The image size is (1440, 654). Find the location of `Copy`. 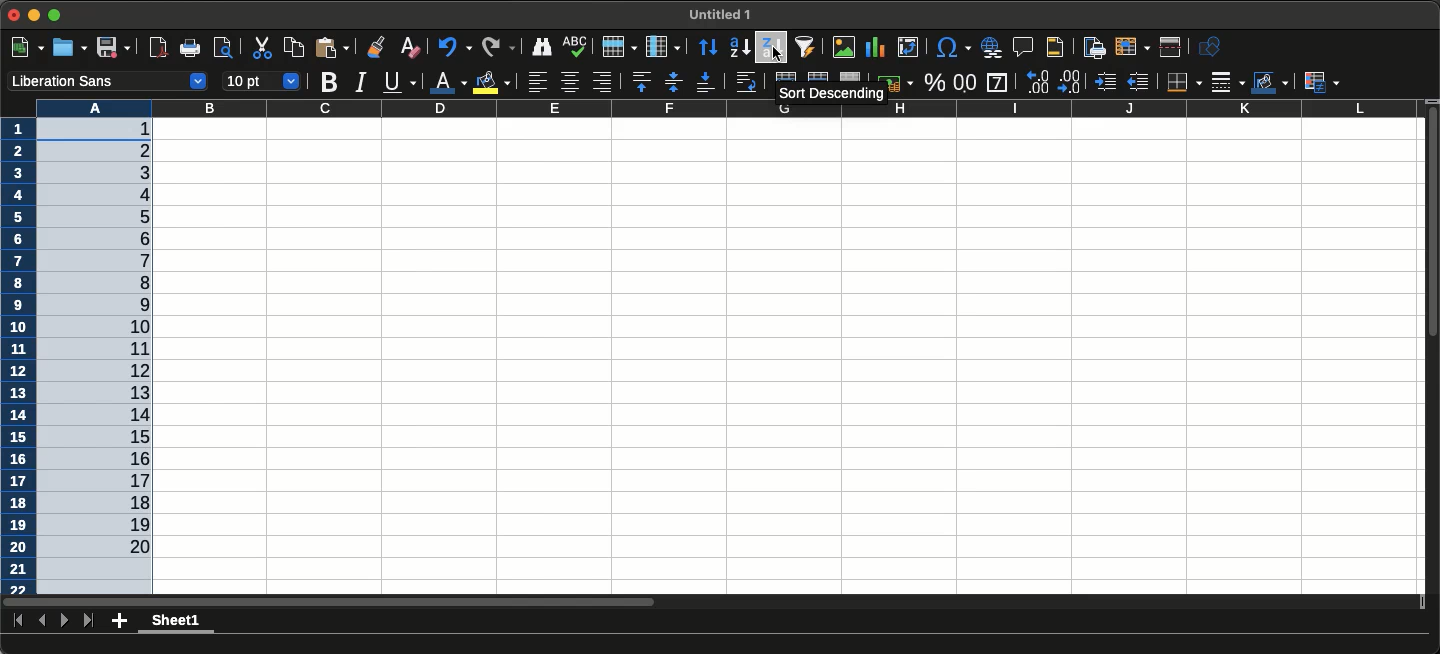

Copy is located at coordinates (293, 47).